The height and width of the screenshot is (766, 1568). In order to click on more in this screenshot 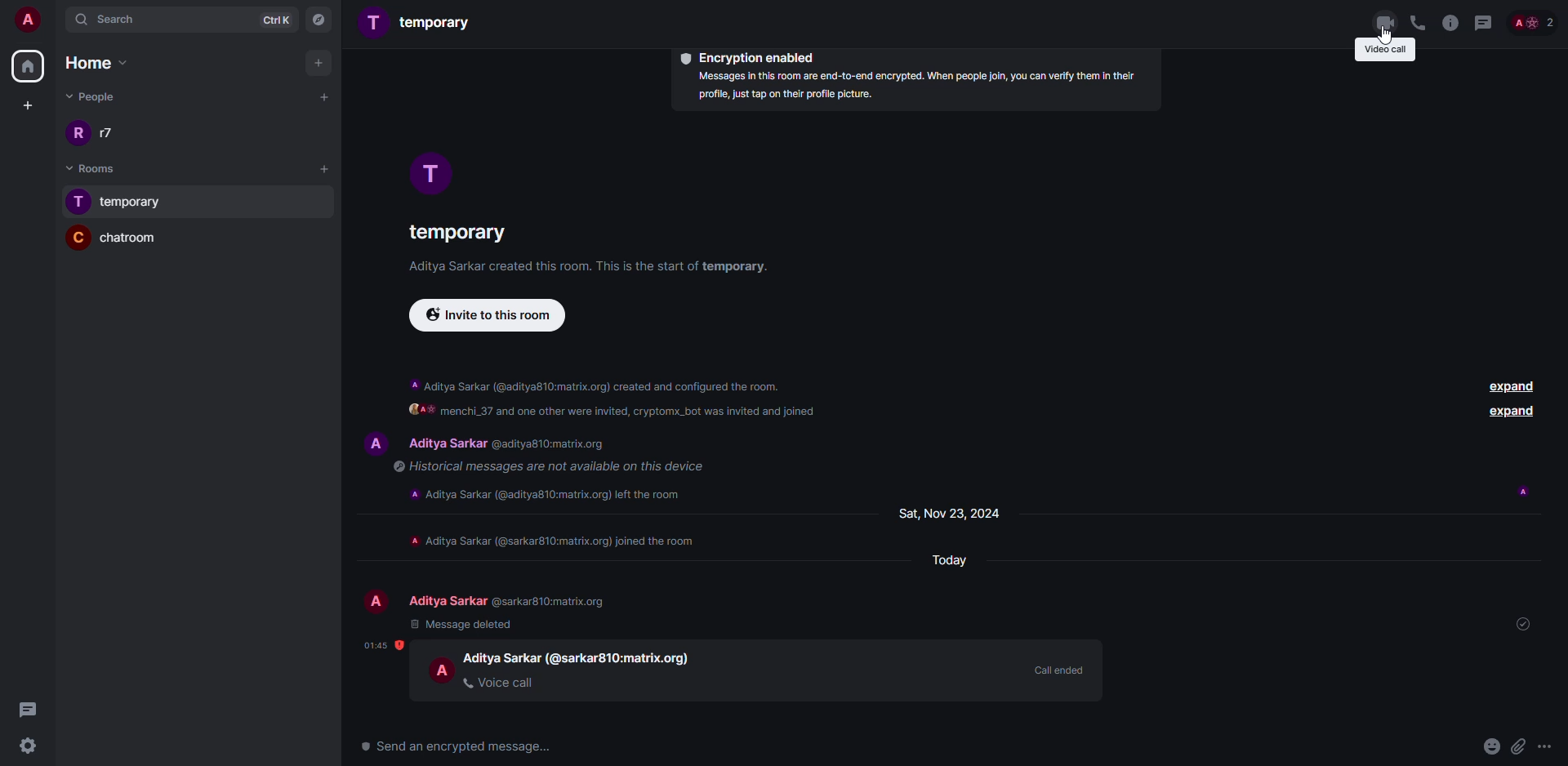, I will do `click(1548, 748)`.